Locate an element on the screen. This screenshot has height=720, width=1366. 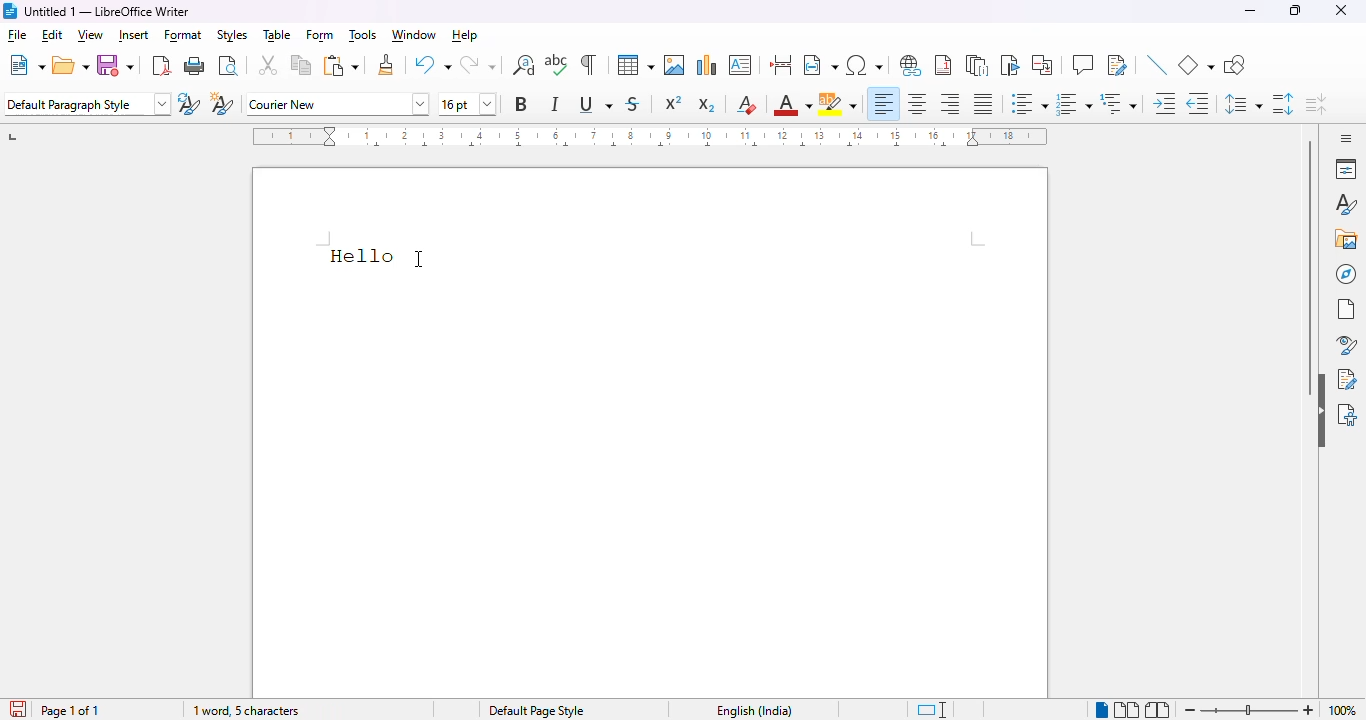
increase paragraph spacing is located at coordinates (1282, 104).